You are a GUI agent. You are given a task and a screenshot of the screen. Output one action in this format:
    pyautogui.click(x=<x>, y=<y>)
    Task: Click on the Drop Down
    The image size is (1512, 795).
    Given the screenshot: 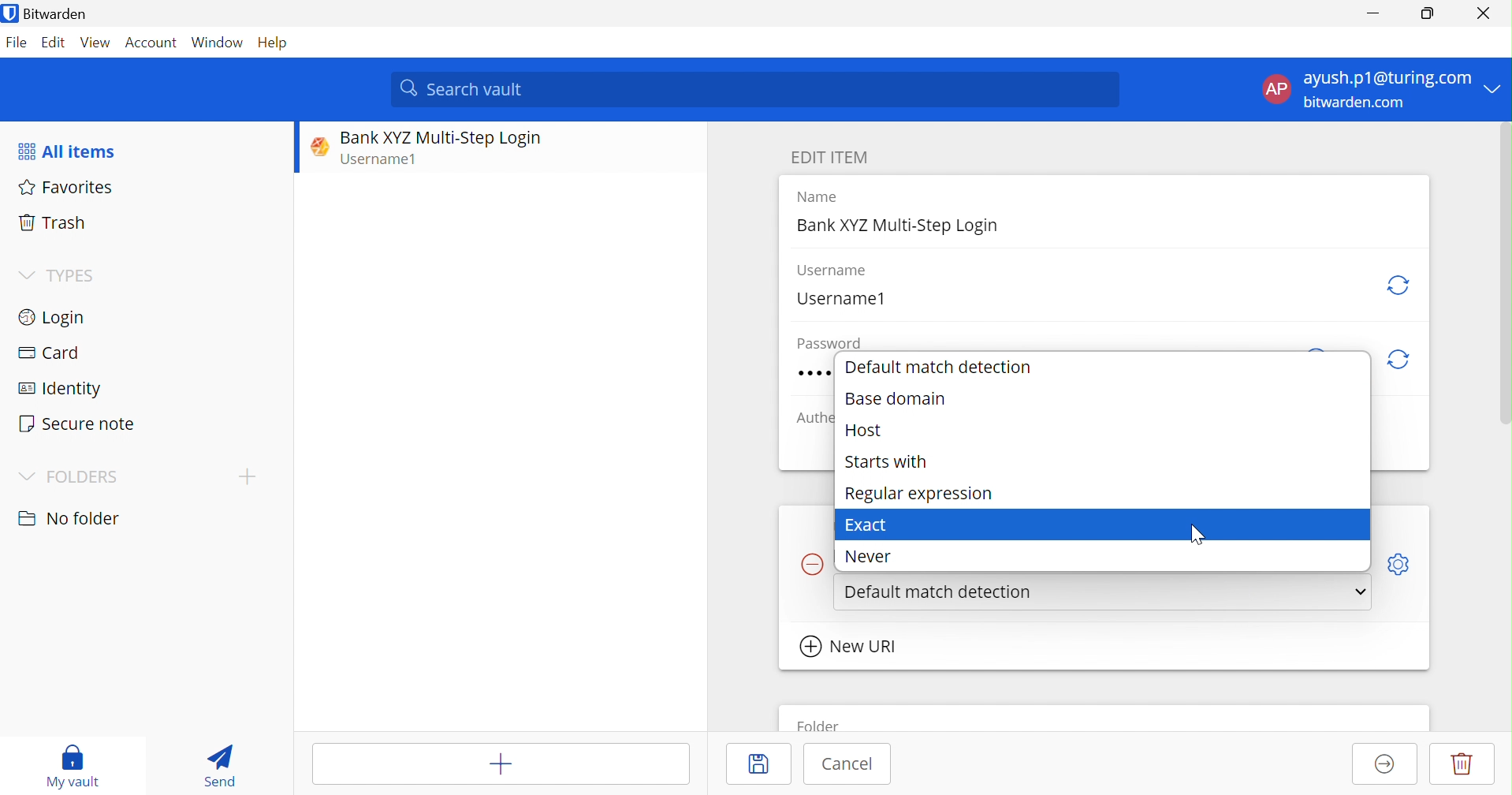 What is the action you would take?
    pyautogui.click(x=1498, y=89)
    